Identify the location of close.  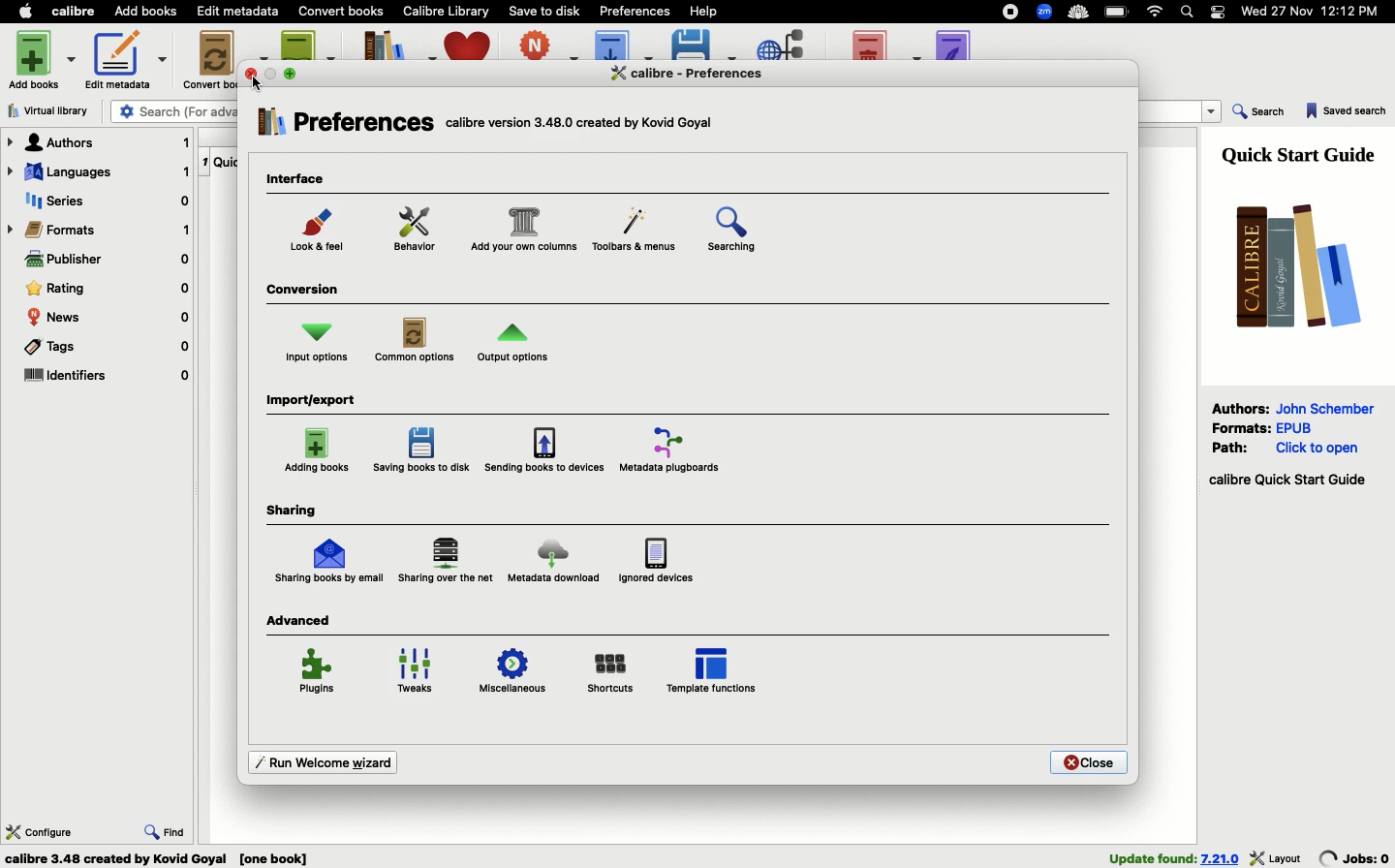
(252, 74).